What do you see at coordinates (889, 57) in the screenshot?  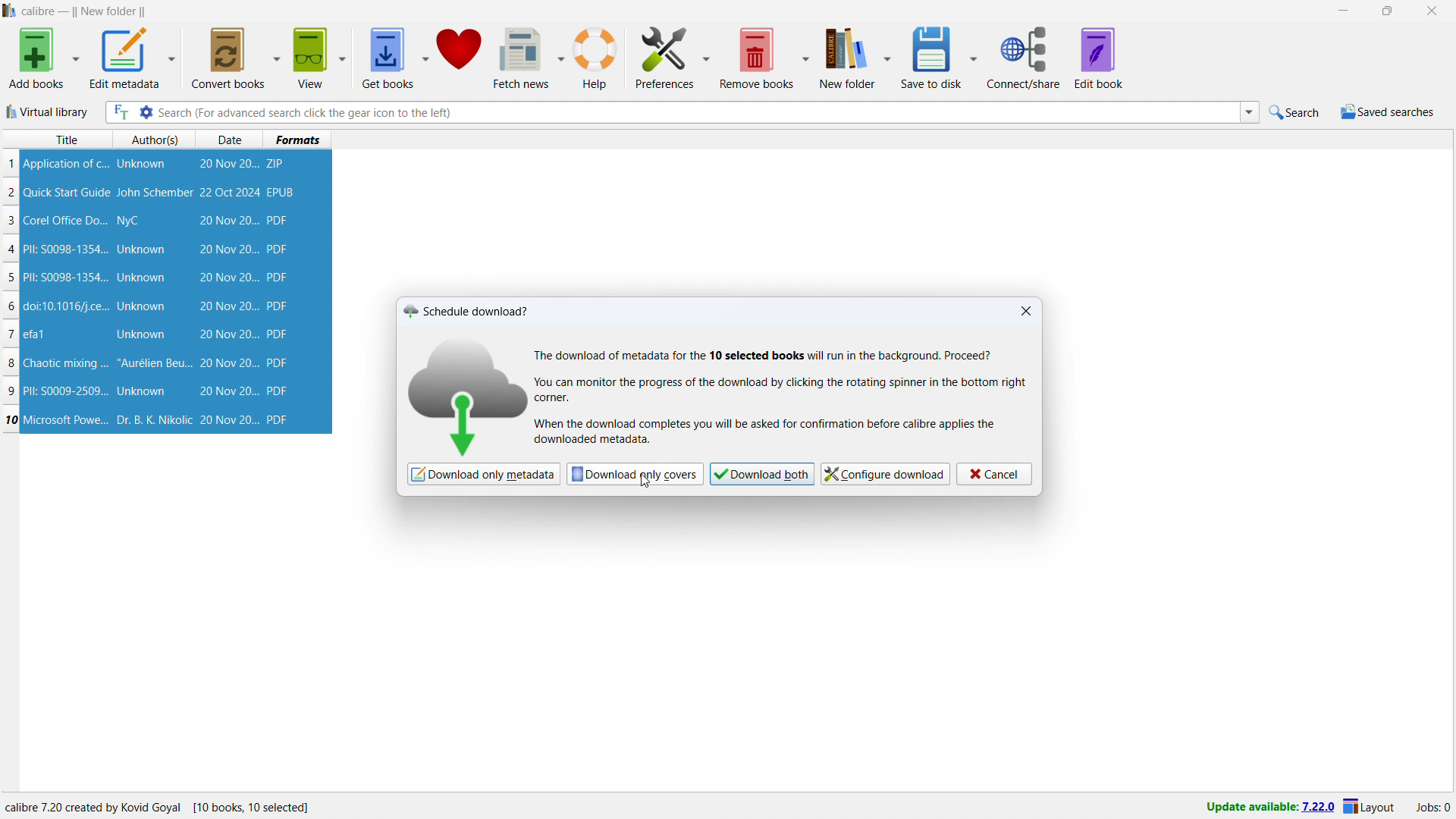 I see `new folder  options` at bounding box center [889, 57].